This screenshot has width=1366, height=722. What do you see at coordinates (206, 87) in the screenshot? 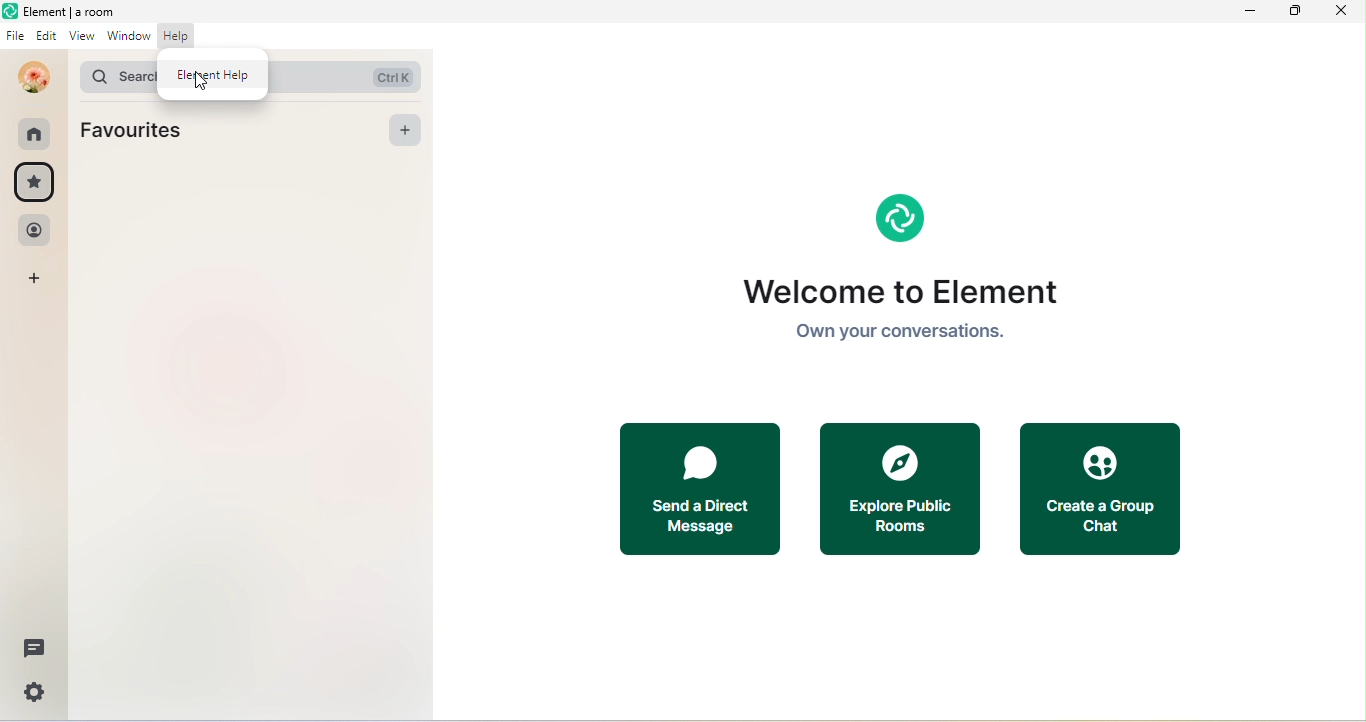
I see `cursor movement` at bounding box center [206, 87].